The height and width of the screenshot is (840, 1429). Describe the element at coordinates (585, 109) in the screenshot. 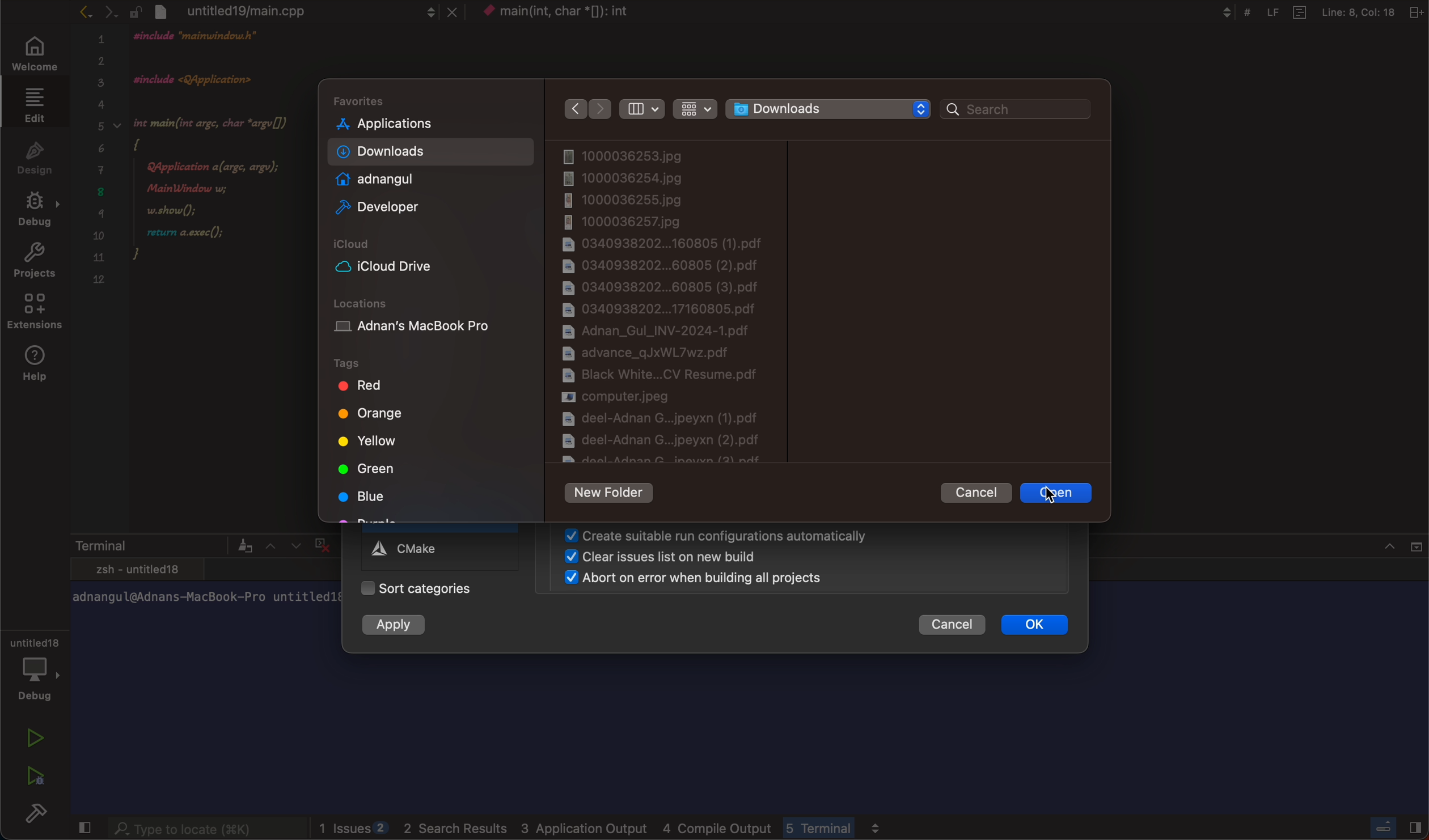

I see `arrows` at that location.